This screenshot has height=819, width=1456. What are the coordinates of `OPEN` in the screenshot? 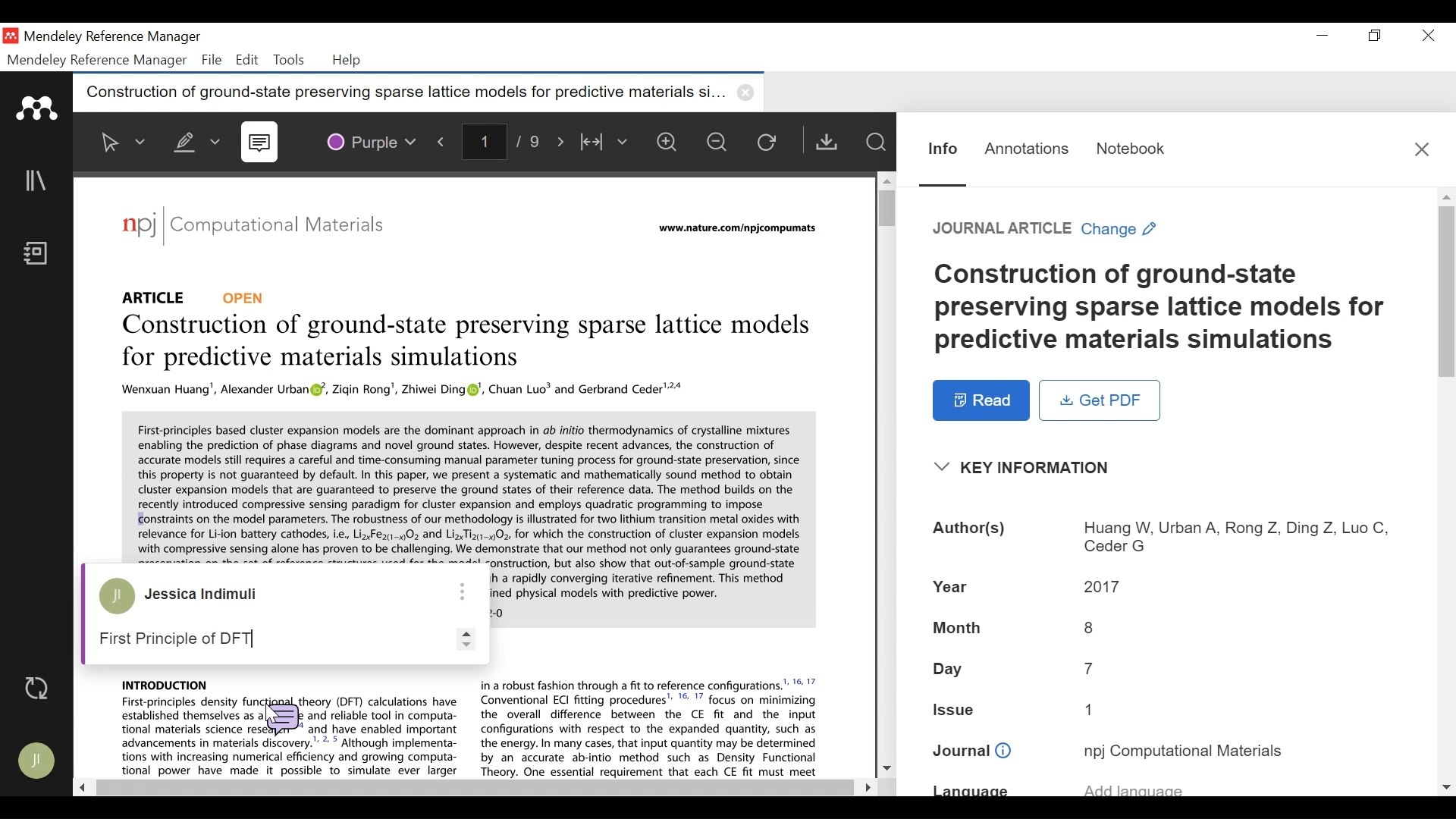 It's located at (248, 297).